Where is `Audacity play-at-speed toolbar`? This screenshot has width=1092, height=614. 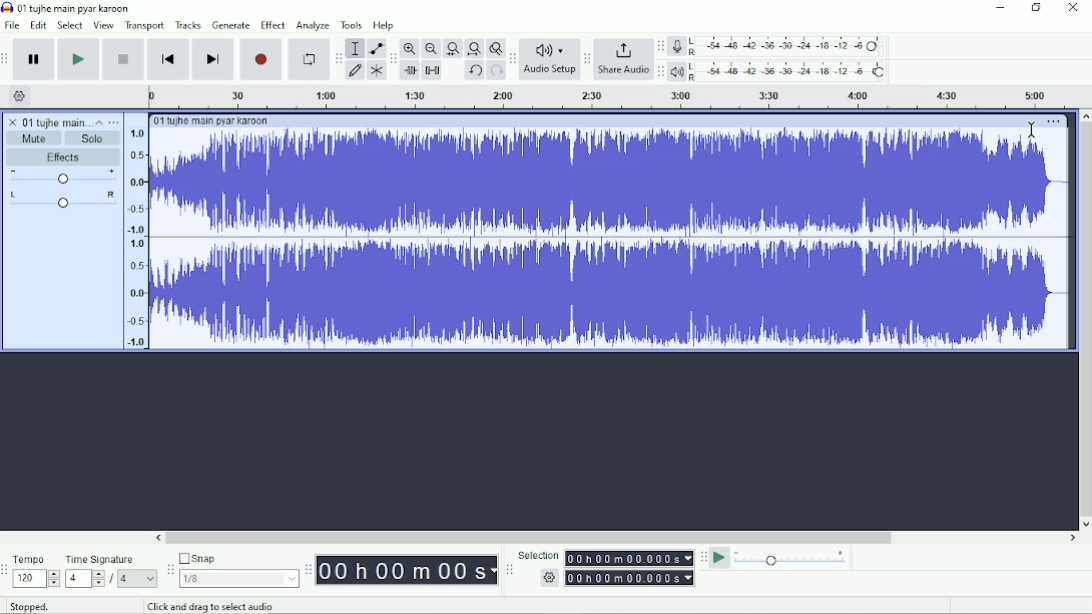
Audacity play-at-speed toolbar is located at coordinates (703, 558).